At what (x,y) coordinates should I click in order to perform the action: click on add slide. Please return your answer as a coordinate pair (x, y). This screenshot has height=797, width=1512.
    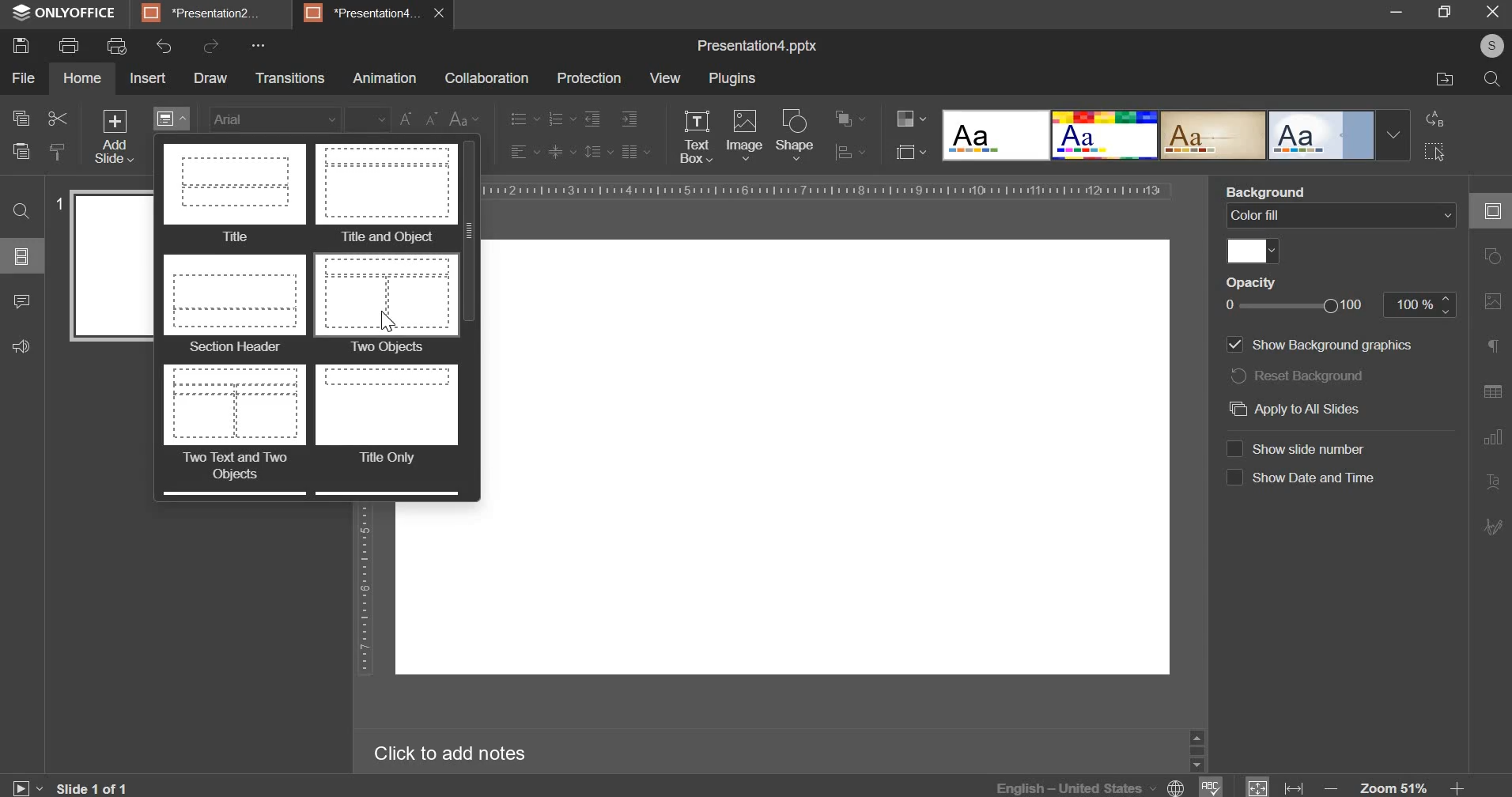
    Looking at the image, I should click on (114, 138).